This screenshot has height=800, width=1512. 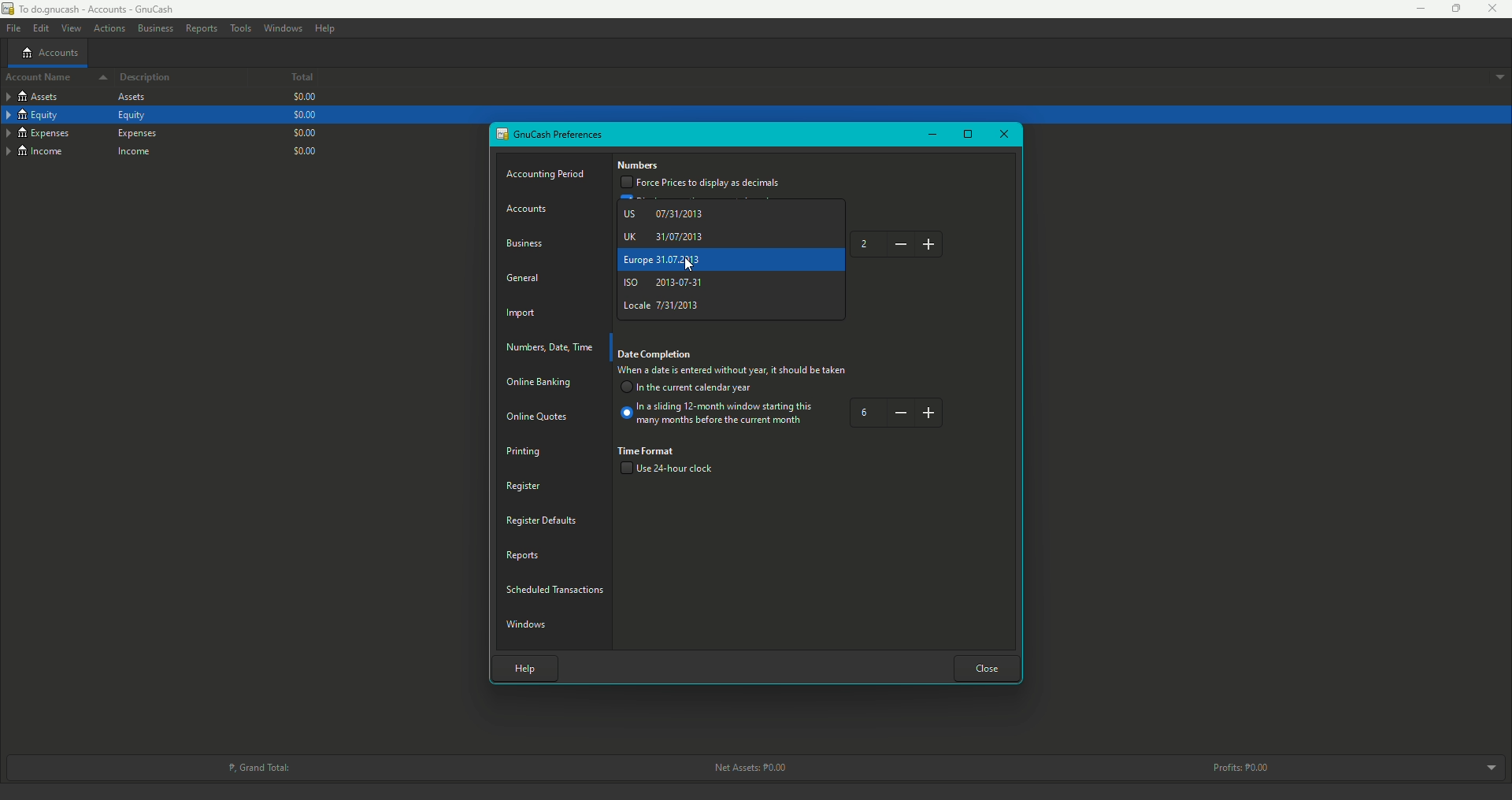 What do you see at coordinates (524, 451) in the screenshot?
I see `Printing` at bounding box center [524, 451].